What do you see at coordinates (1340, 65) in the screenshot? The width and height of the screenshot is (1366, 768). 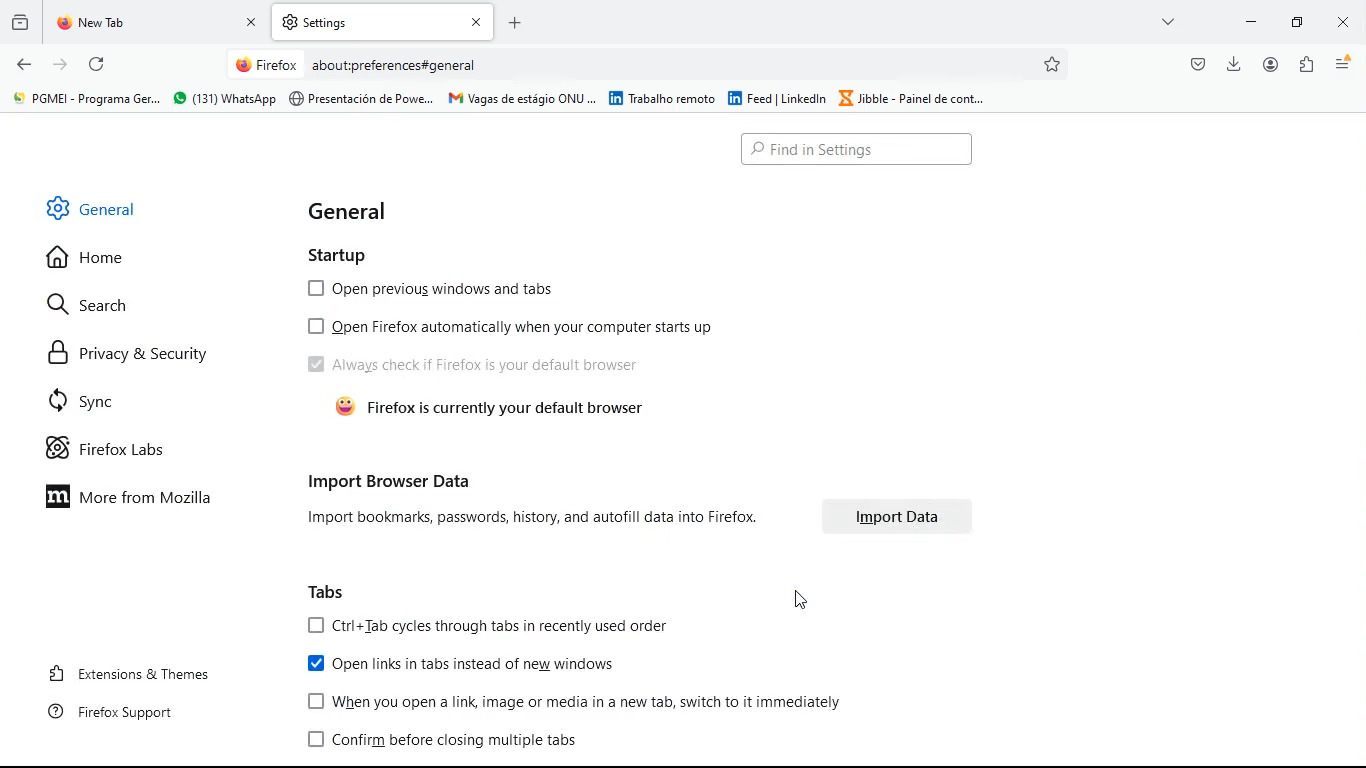 I see `menu` at bounding box center [1340, 65].